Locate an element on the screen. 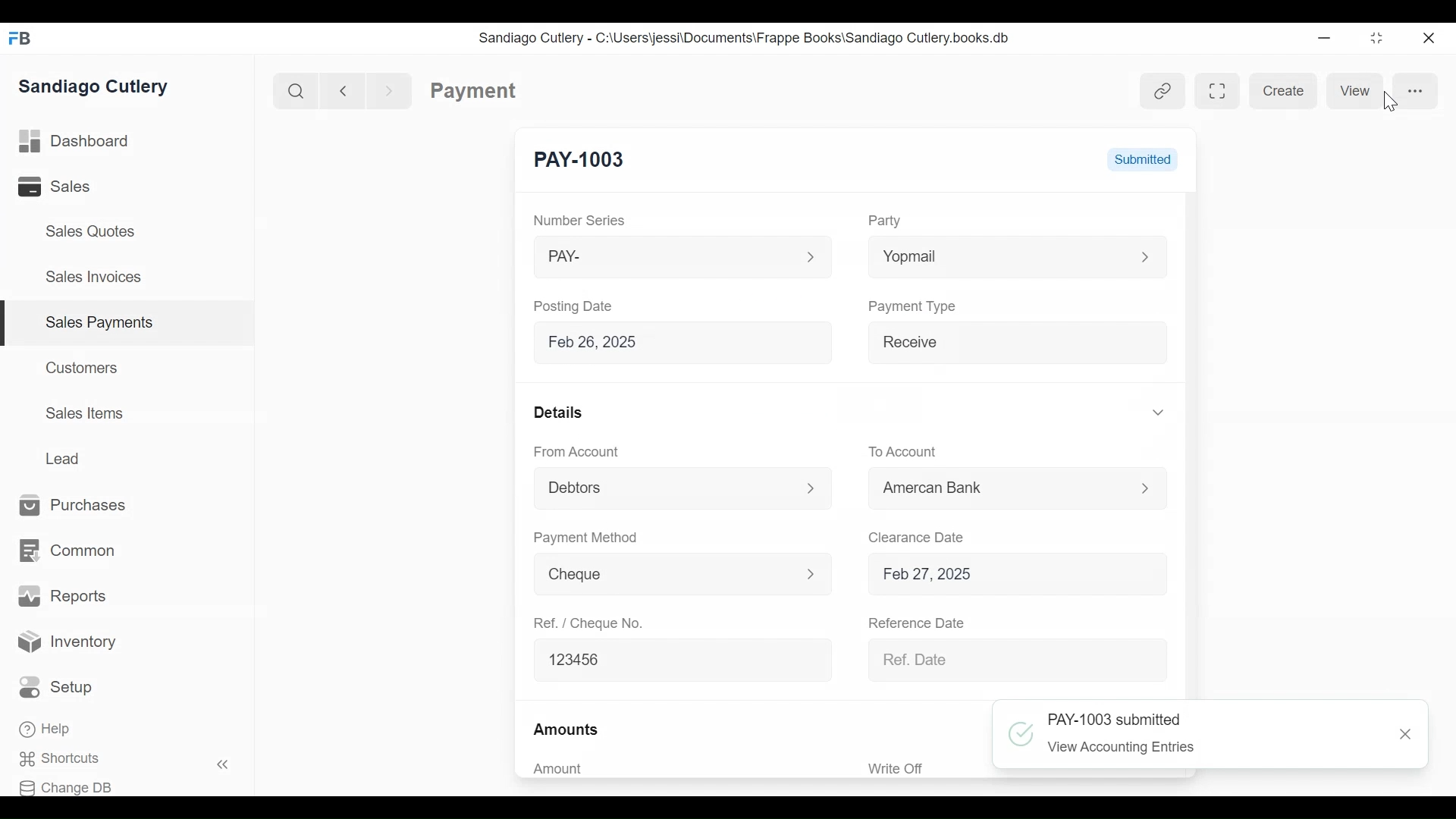 Image resolution: width=1456 pixels, height=819 pixels. Navigate Back is located at coordinates (340, 90).